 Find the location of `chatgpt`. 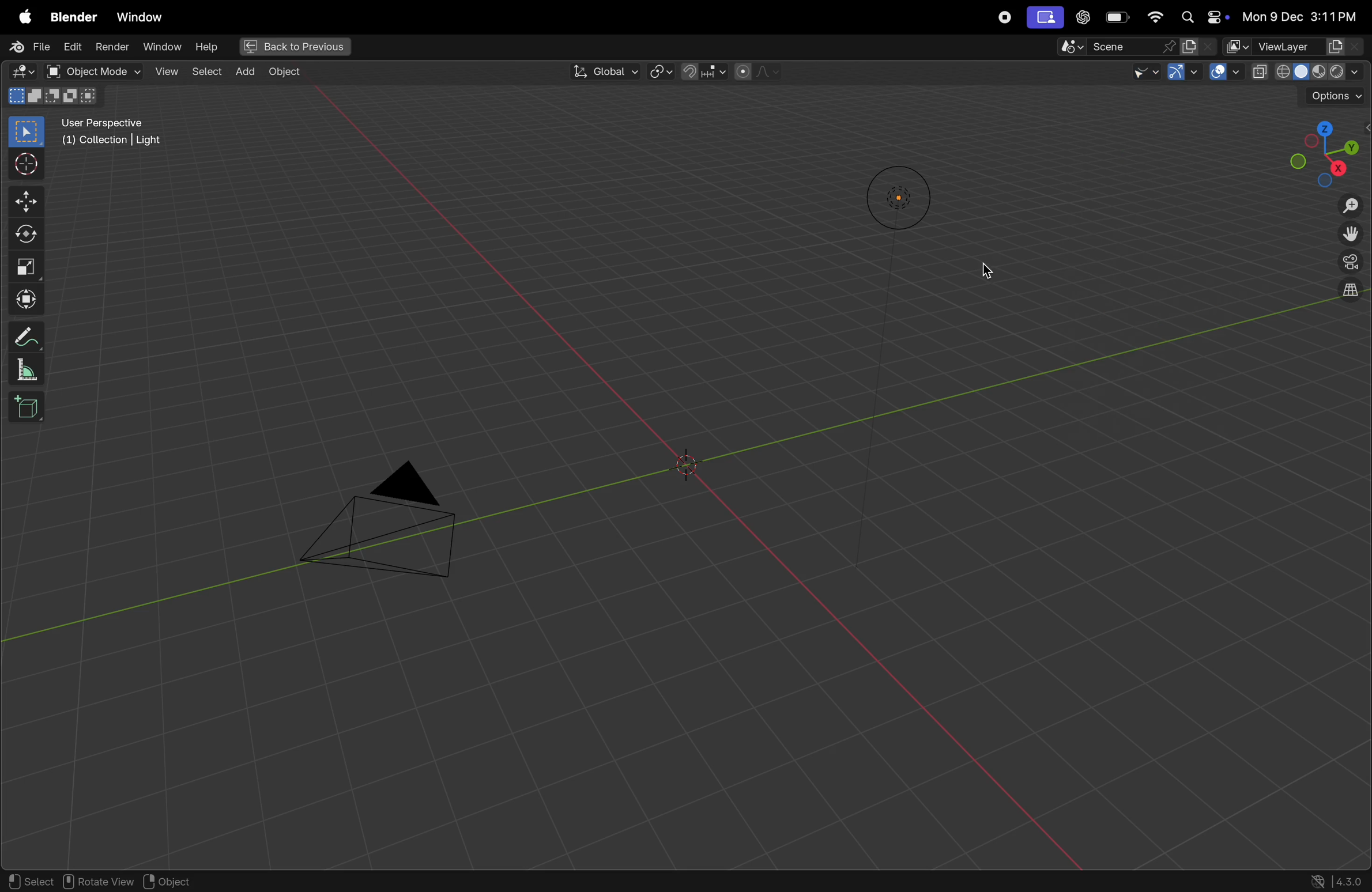

chatgpt is located at coordinates (1081, 18).